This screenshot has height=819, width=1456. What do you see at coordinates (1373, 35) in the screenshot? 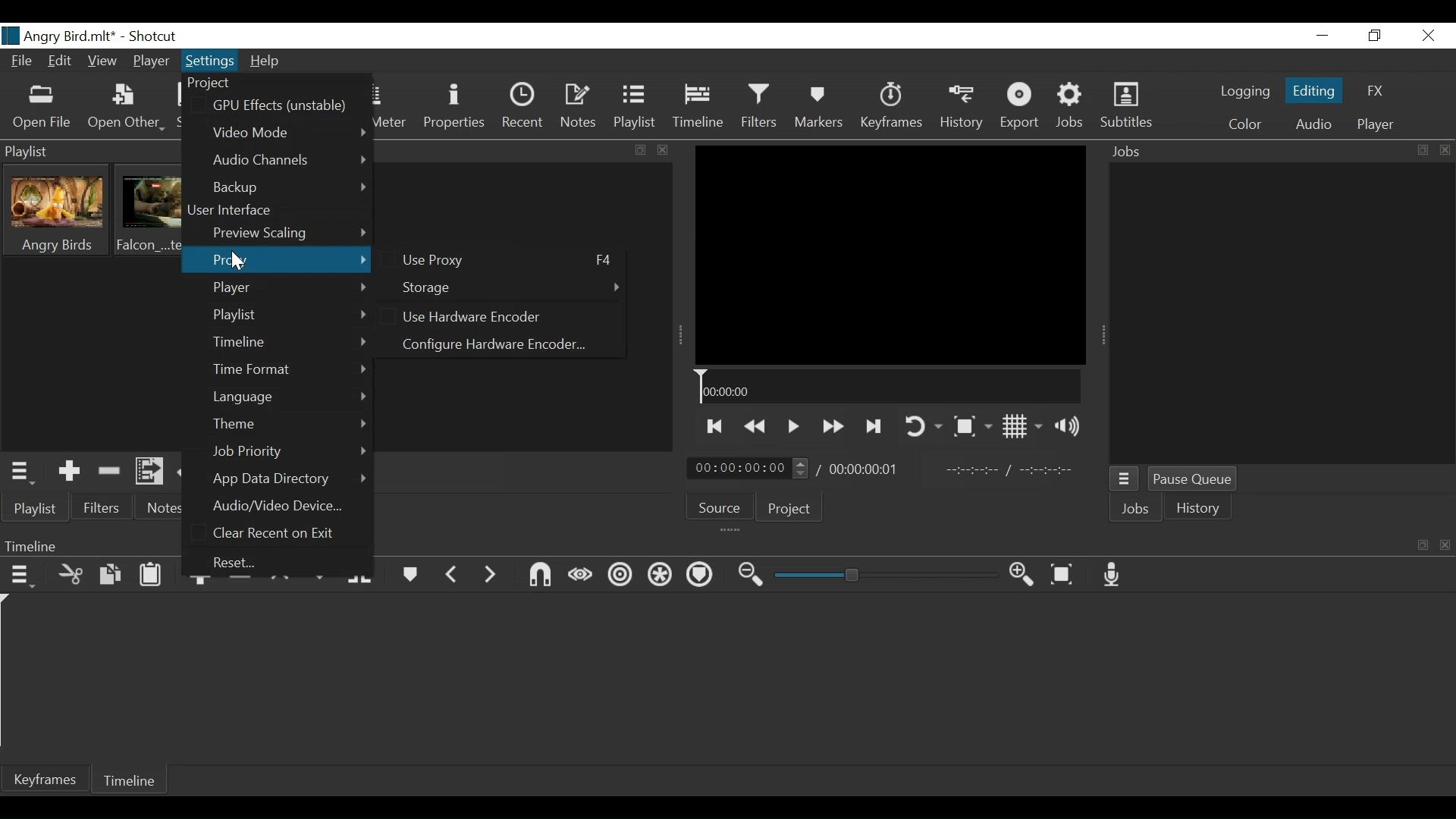
I see `Restore` at bounding box center [1373, 35].